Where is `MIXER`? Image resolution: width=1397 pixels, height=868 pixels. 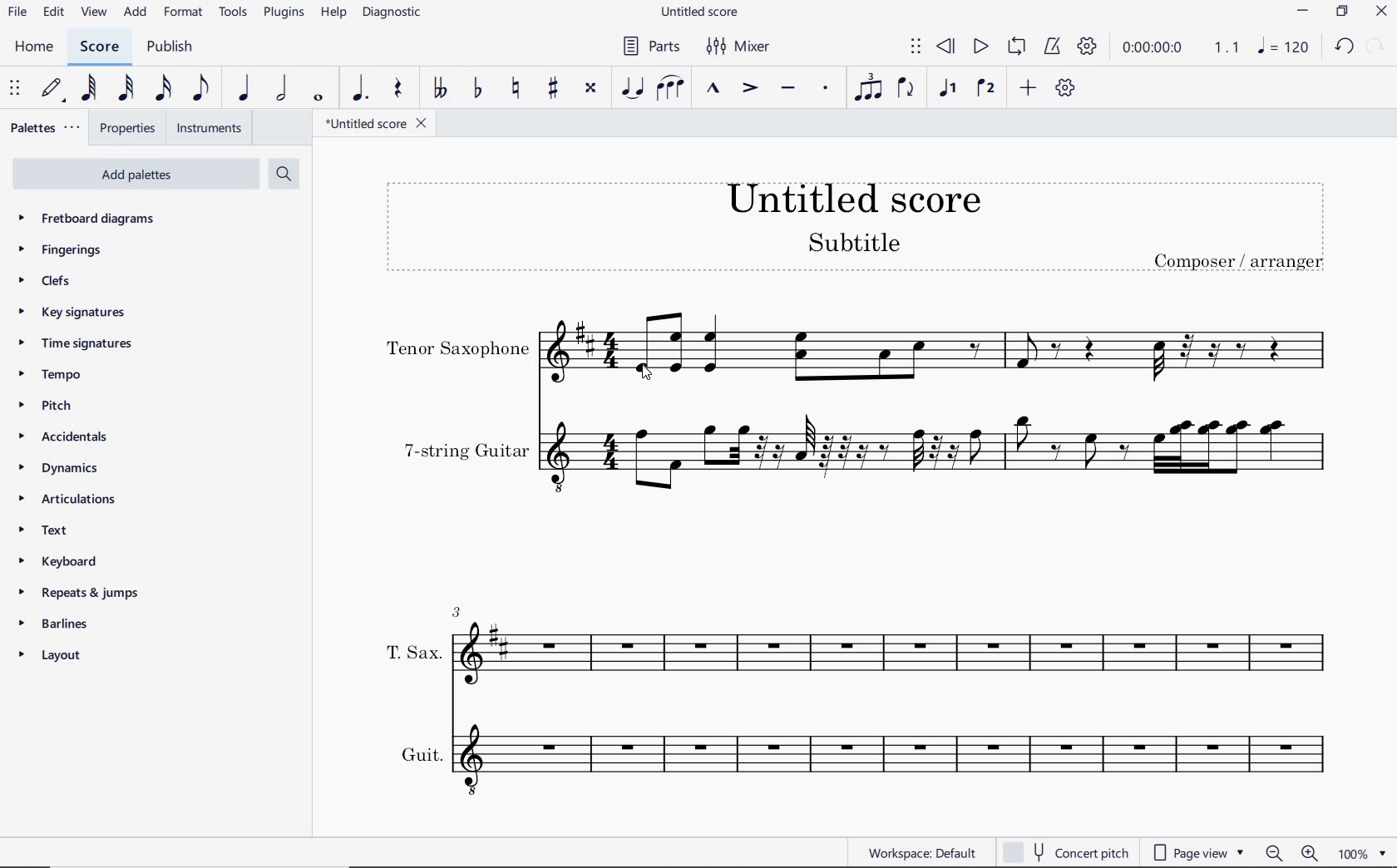 MIXER is located at coordinates (747, 47).